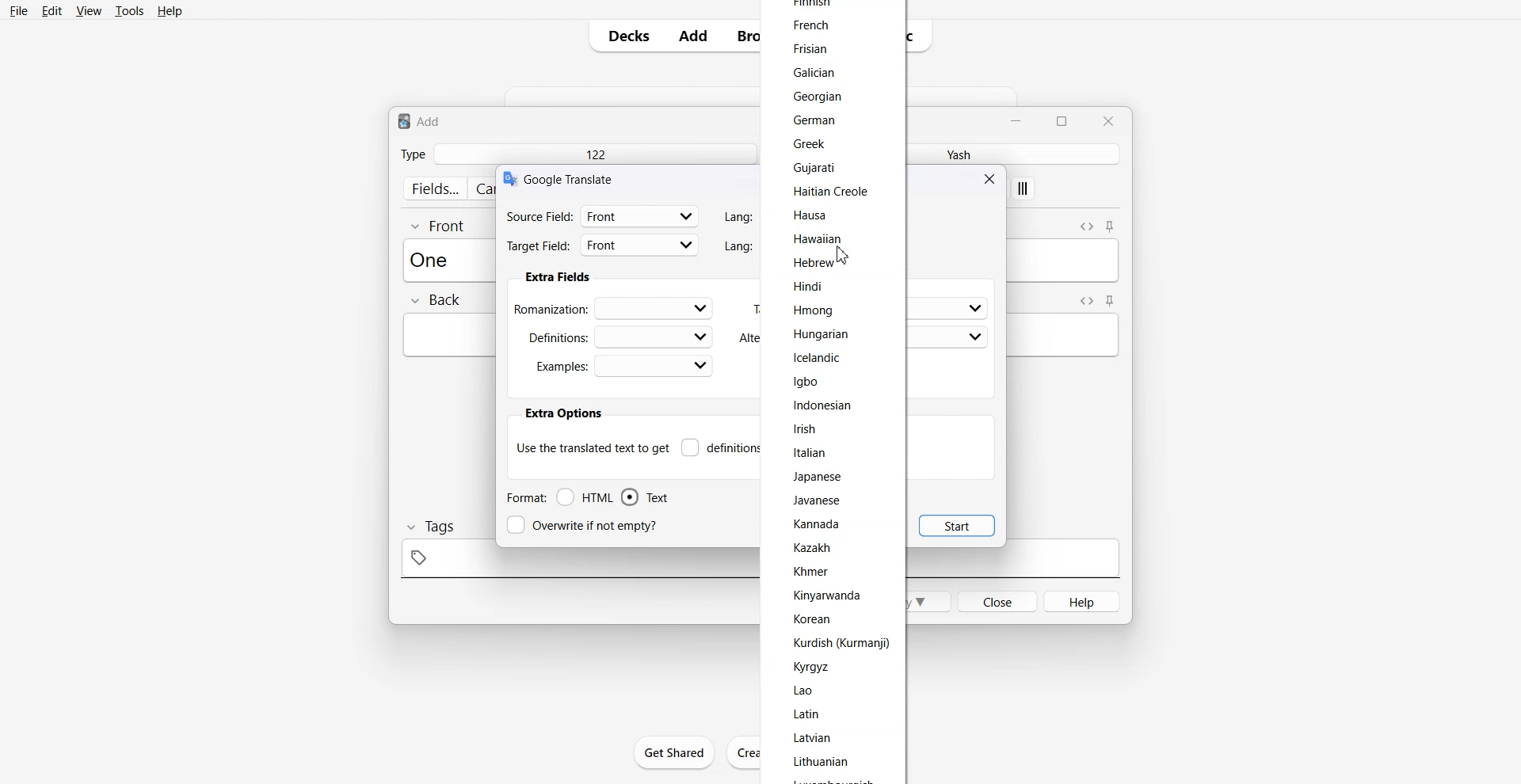 This screenshot has width=1521, height=784. Describe the element at coordinates (738, 217) in the screenshot. I see `Lang:` at that location.